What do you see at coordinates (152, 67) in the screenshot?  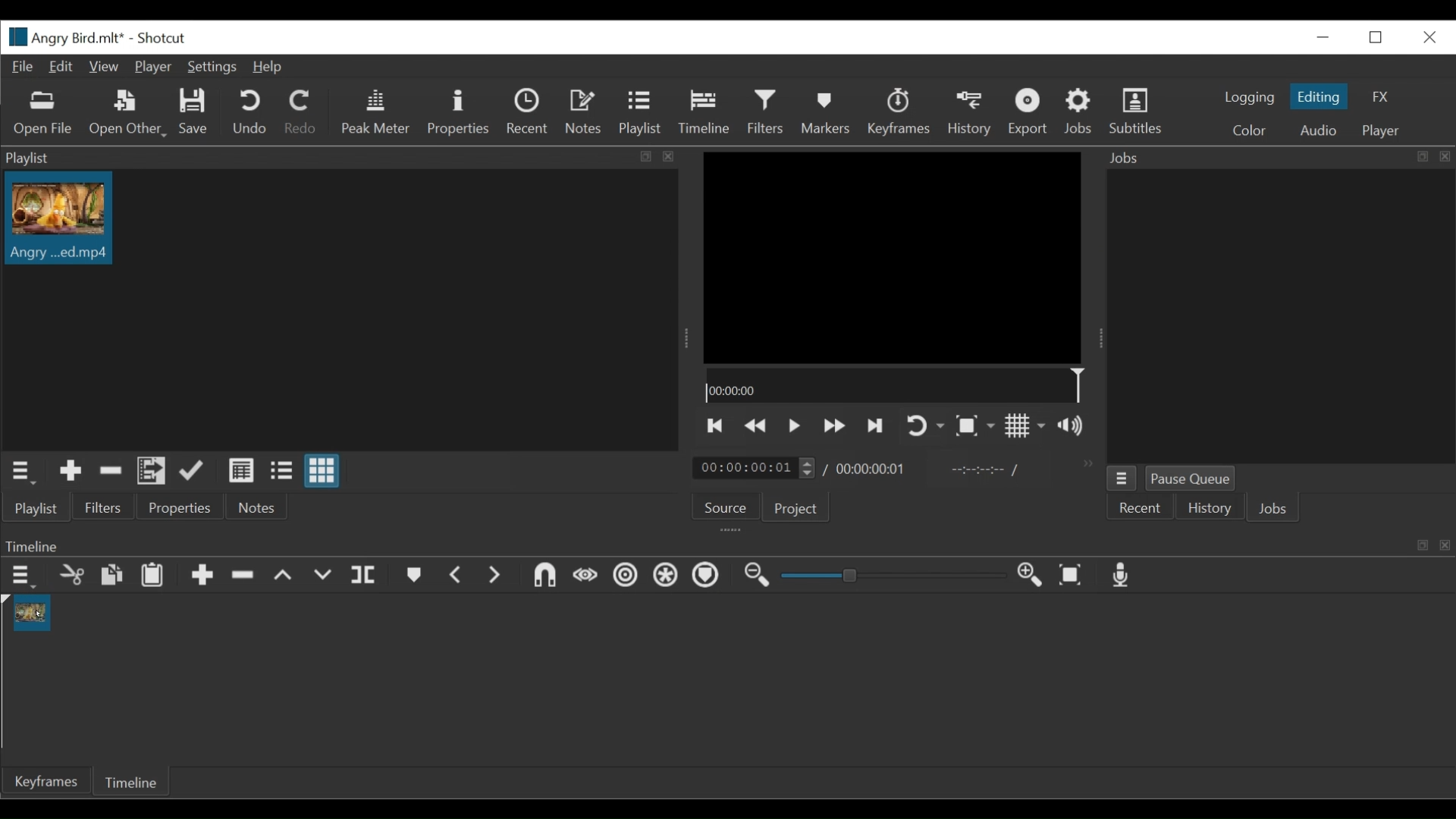 I see `Player` at bounding box center [152, 67].